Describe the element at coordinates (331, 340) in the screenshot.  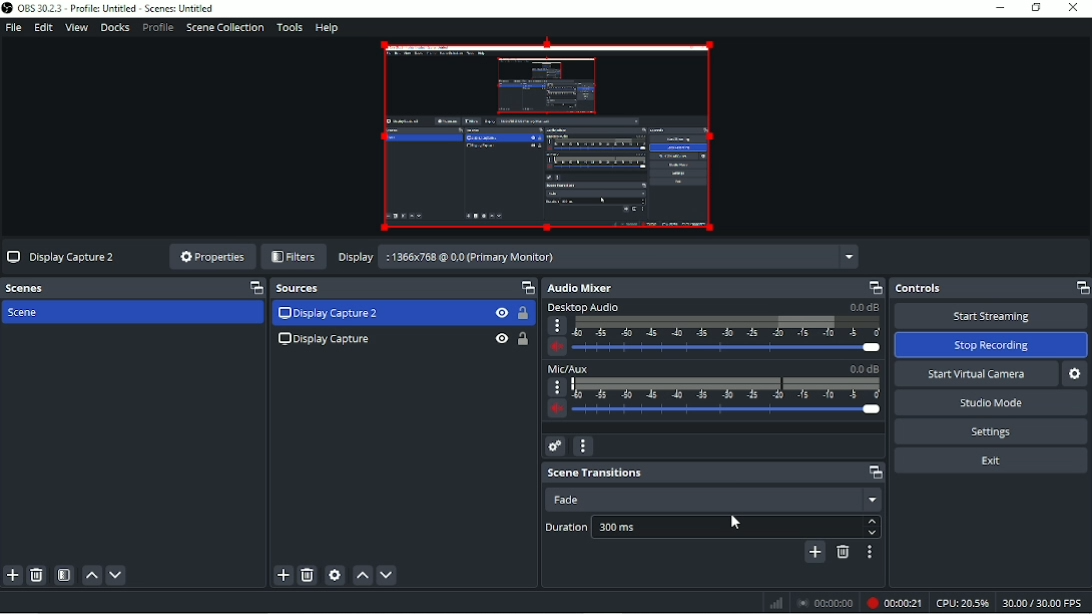
I see `Ooisplay Capture` at that location.